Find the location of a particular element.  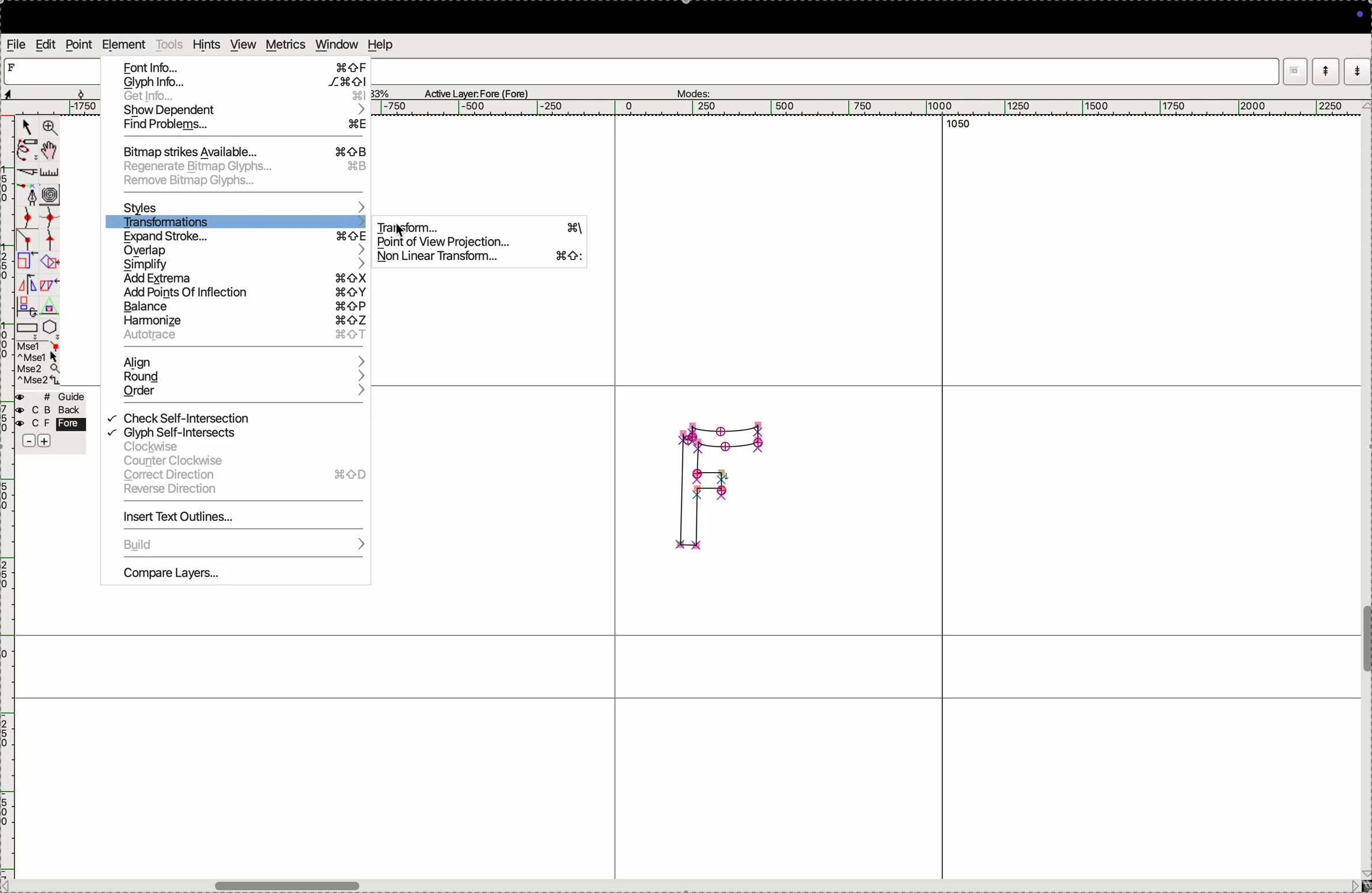

cursor is located at coordinates (402, 230).